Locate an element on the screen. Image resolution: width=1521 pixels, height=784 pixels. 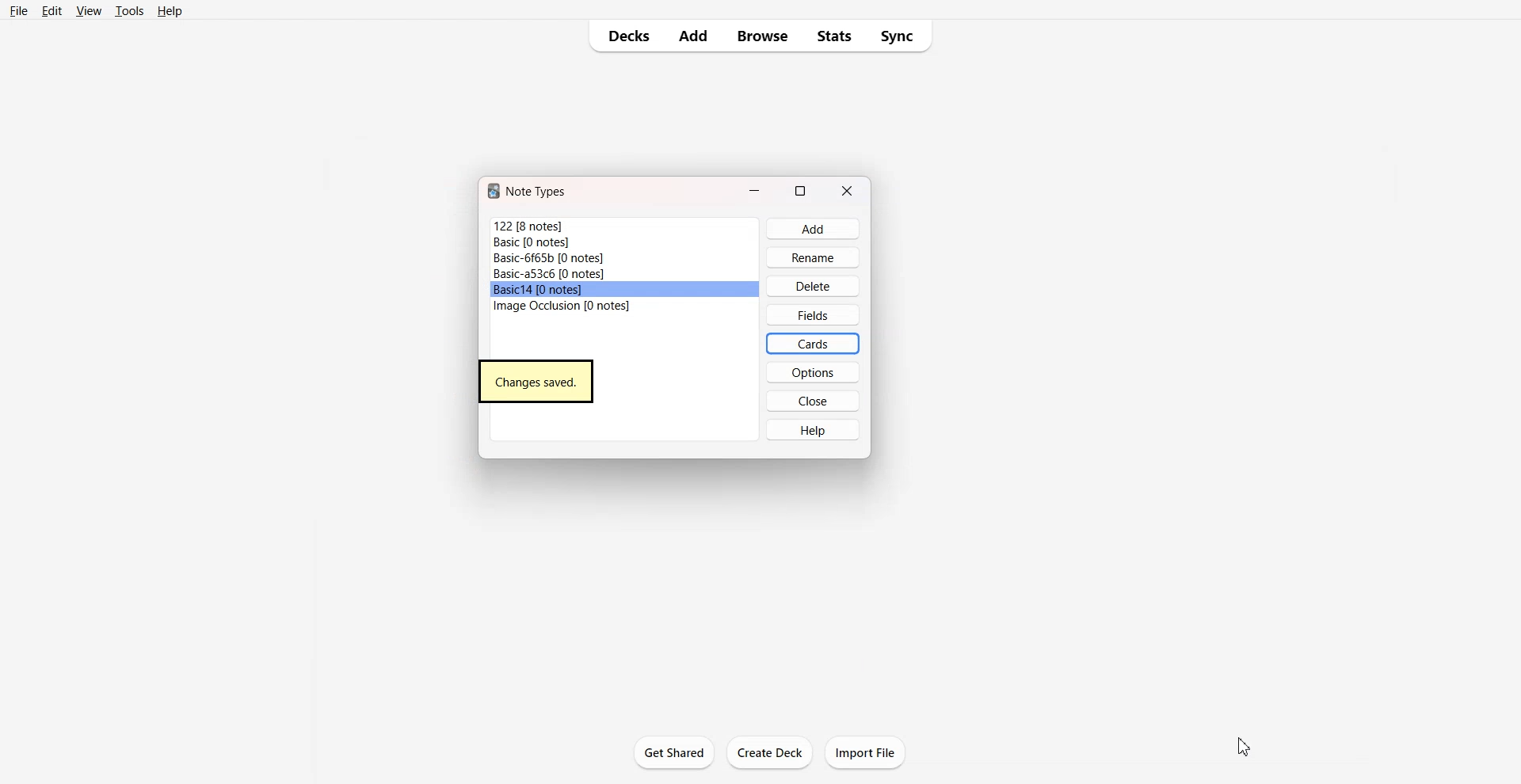
Close is located at coordinates (813, 401).